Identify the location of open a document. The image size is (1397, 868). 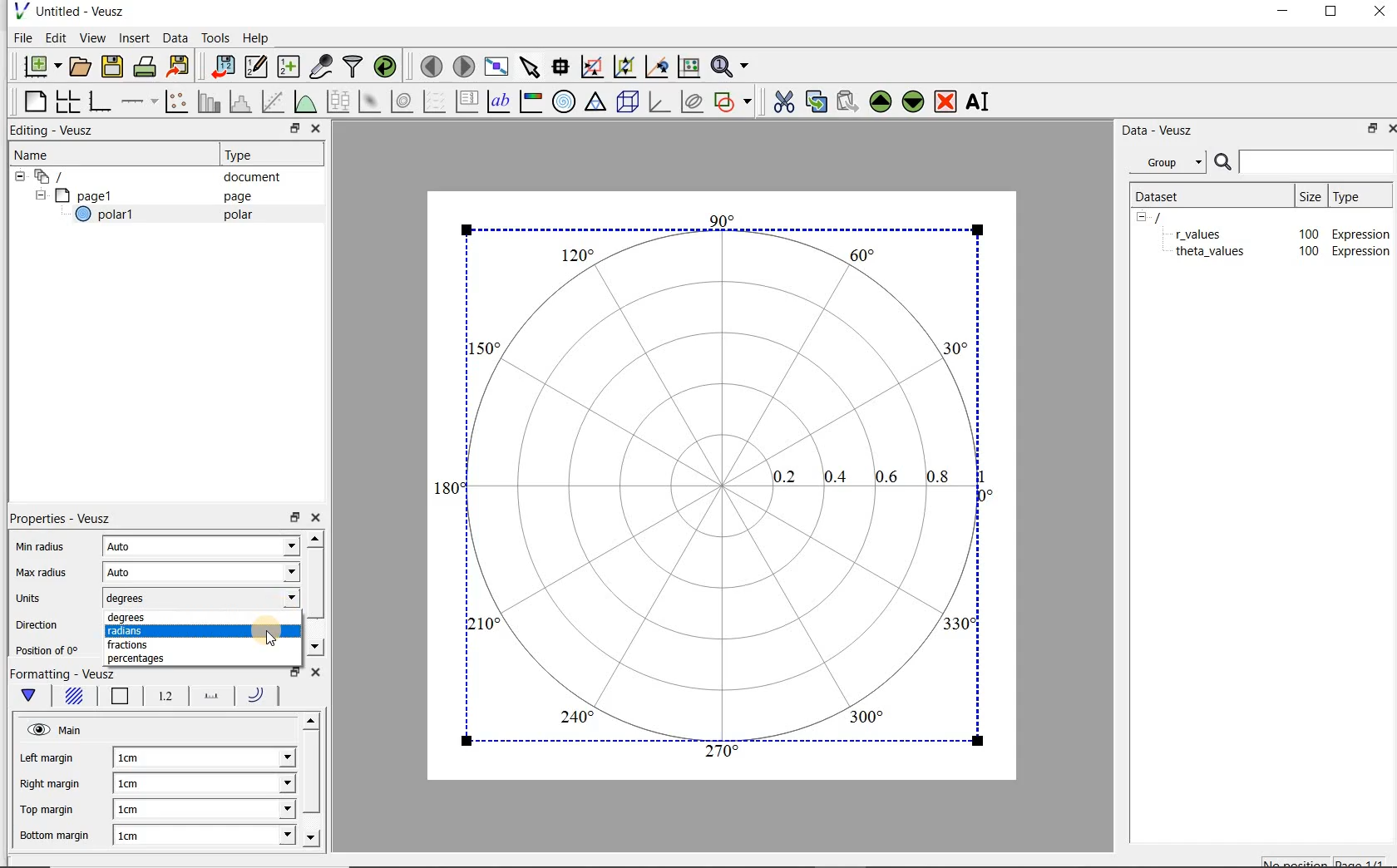
(82, 65).